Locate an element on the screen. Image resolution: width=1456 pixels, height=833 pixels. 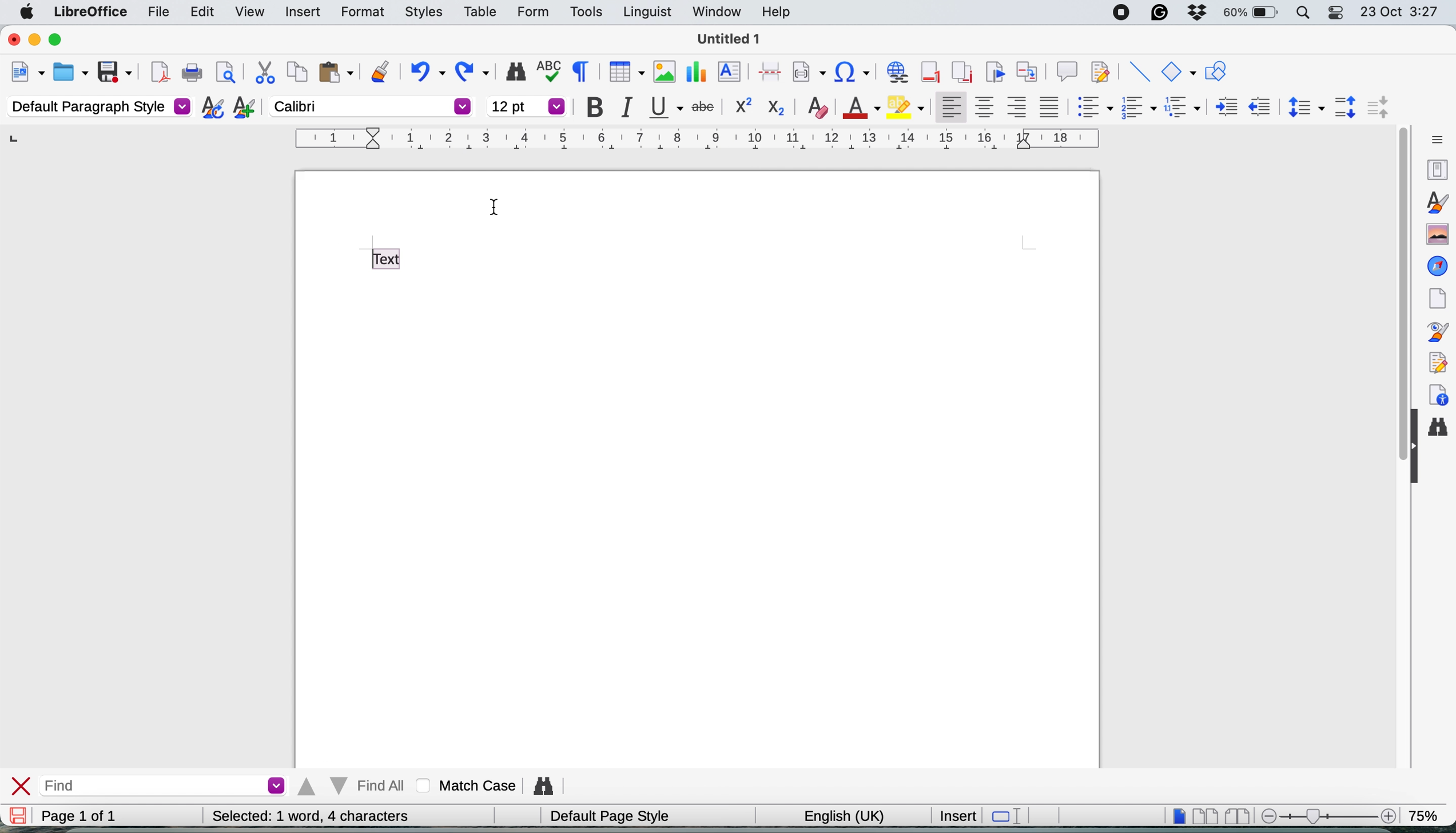
insert text box is located at coordinates (731, 73).